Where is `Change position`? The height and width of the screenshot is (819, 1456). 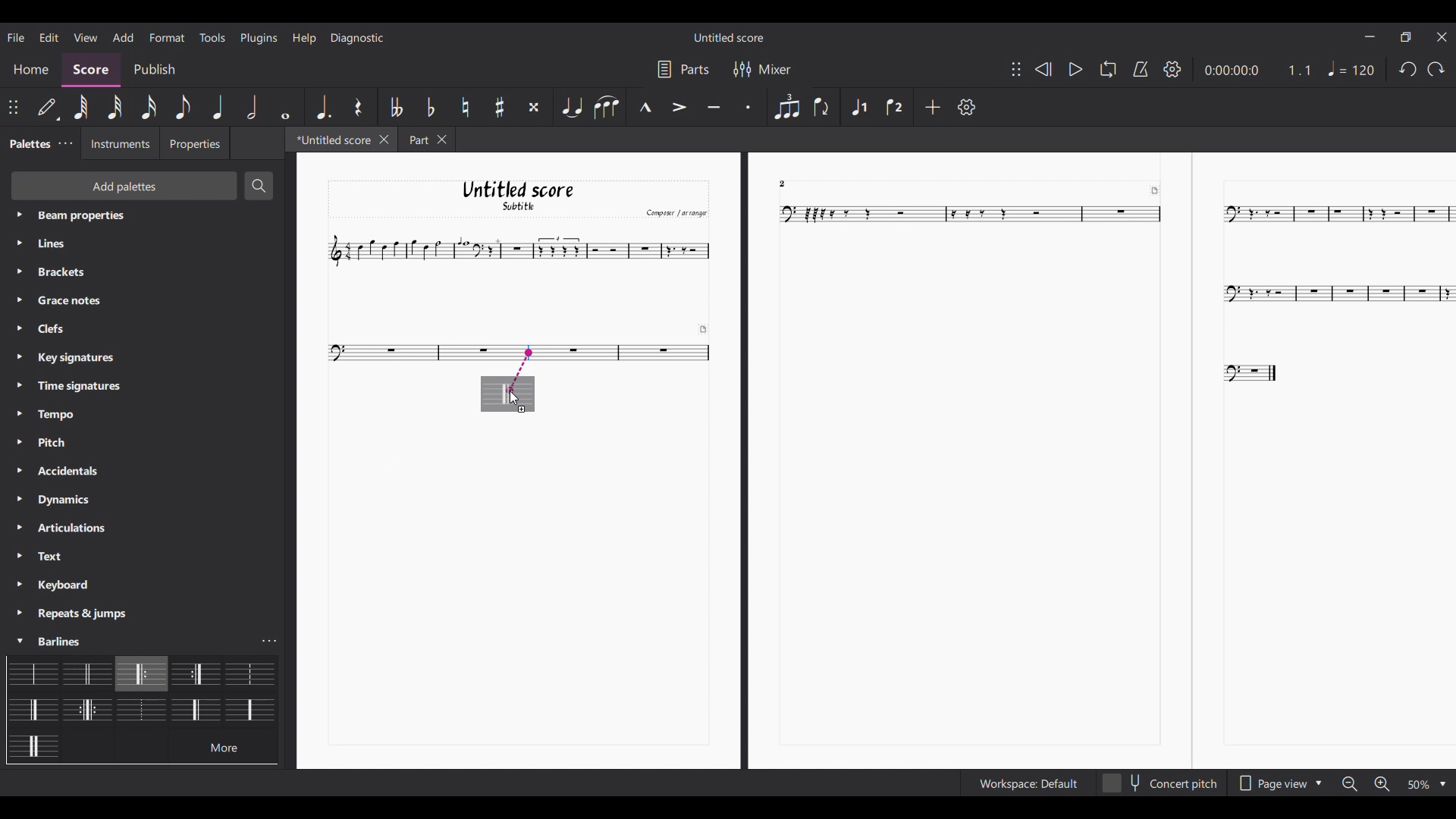
Change position is located at coordinates (13, 107).